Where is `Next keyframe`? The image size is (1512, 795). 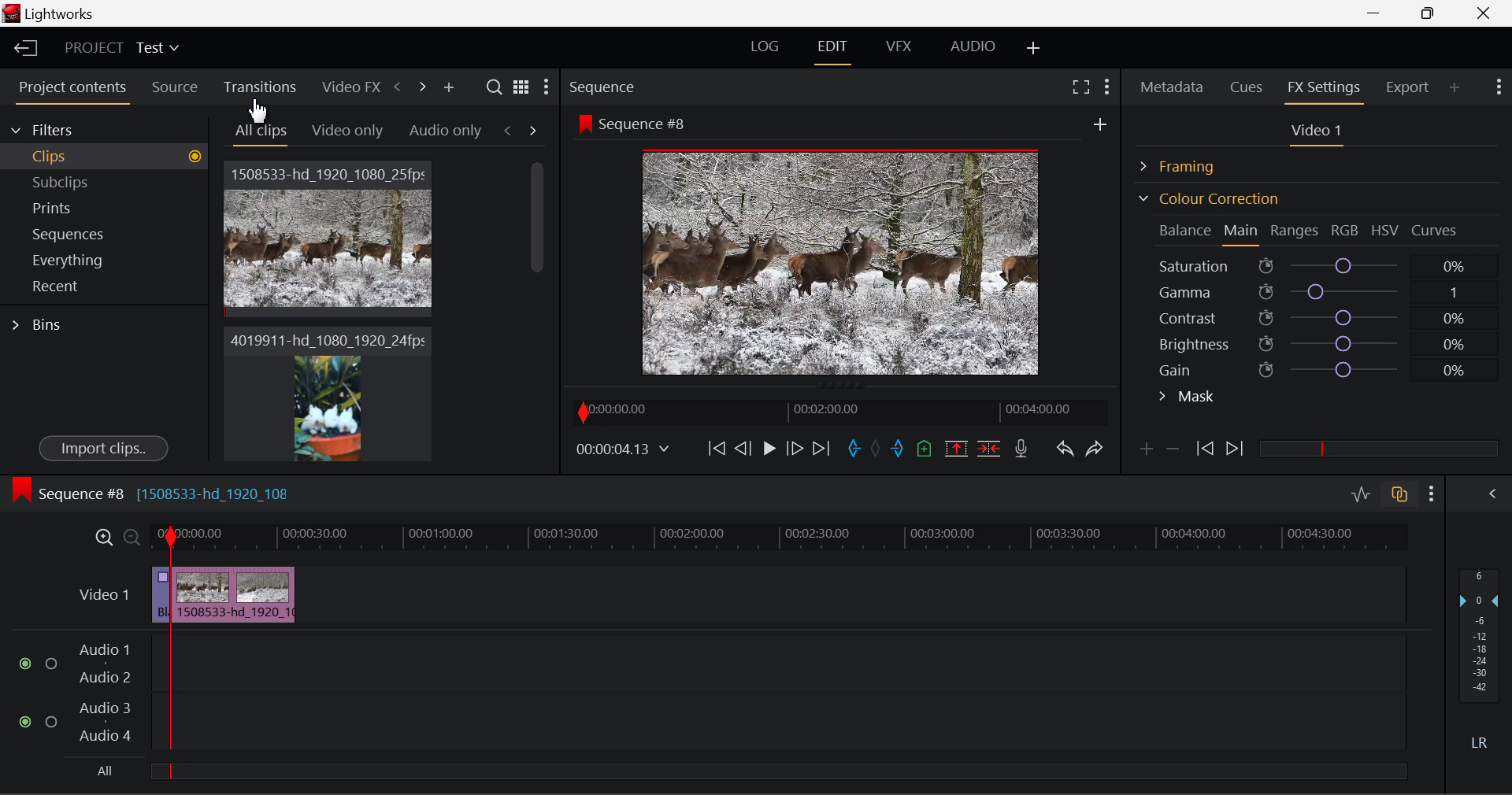 Next keyframe is located at coordinates (1236, 449).